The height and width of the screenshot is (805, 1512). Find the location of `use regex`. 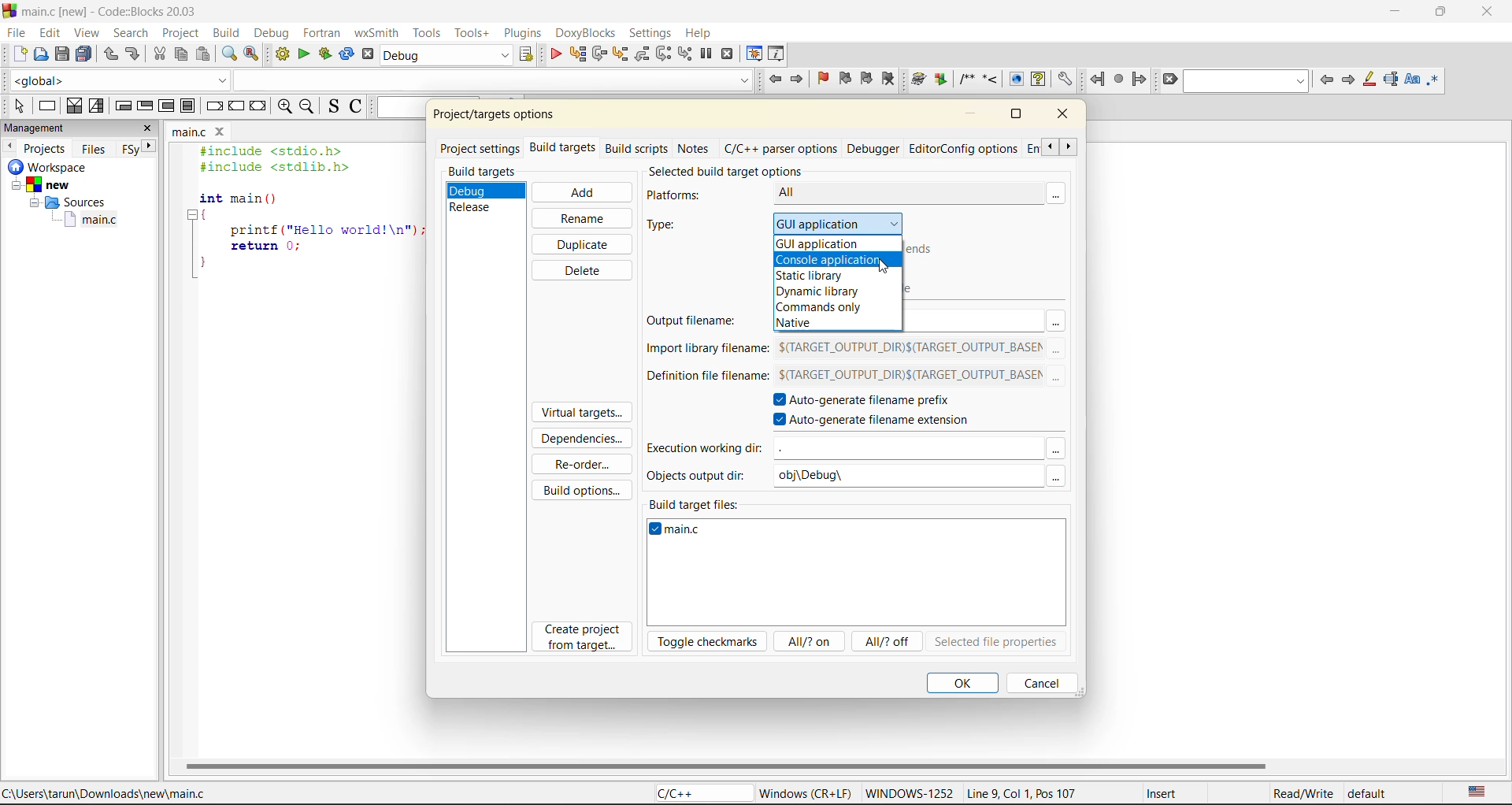

use regex is located at coordinates (1437, 79).